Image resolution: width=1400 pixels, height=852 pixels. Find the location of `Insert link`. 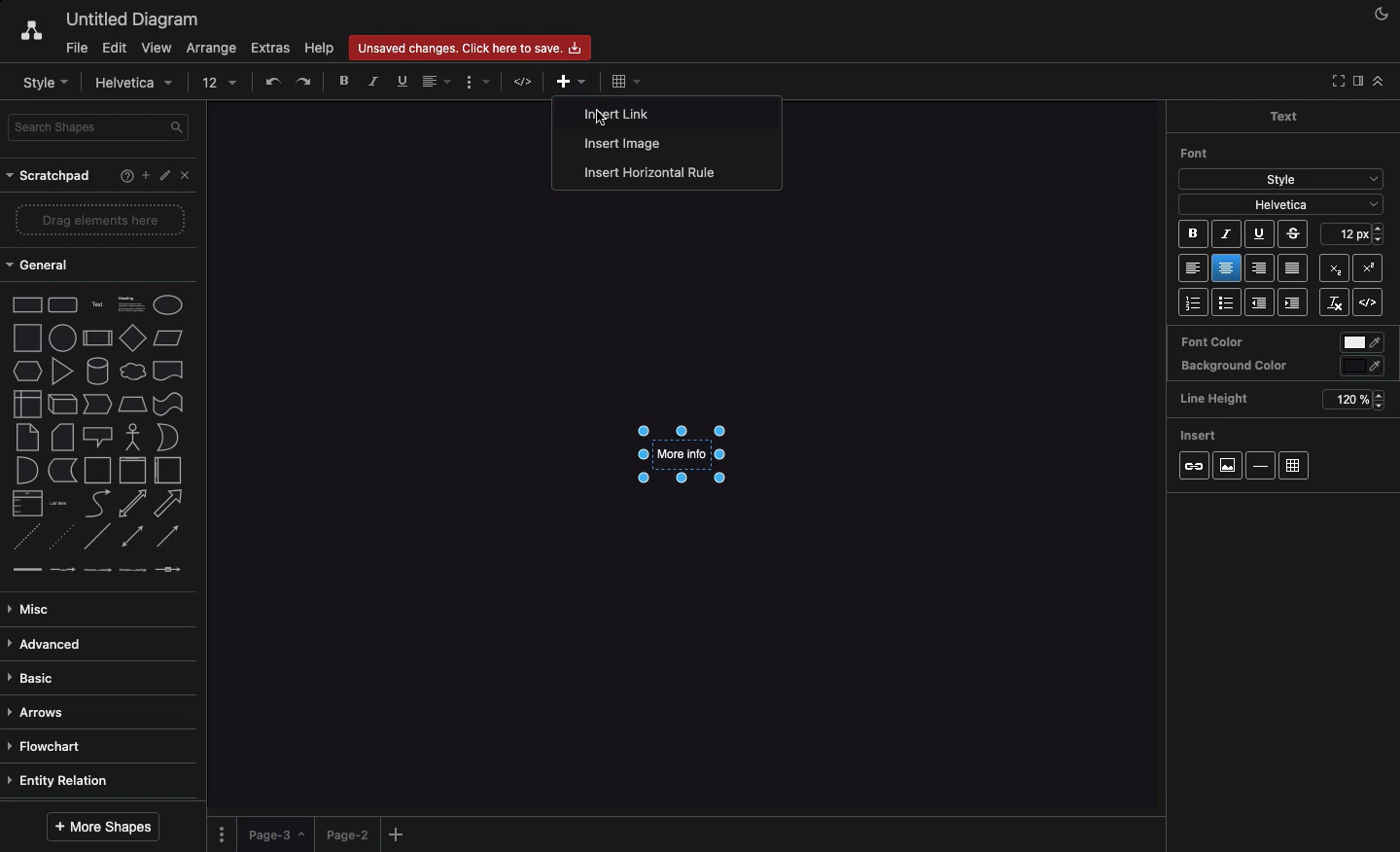

Insert link is located at coordinates (651, 115).